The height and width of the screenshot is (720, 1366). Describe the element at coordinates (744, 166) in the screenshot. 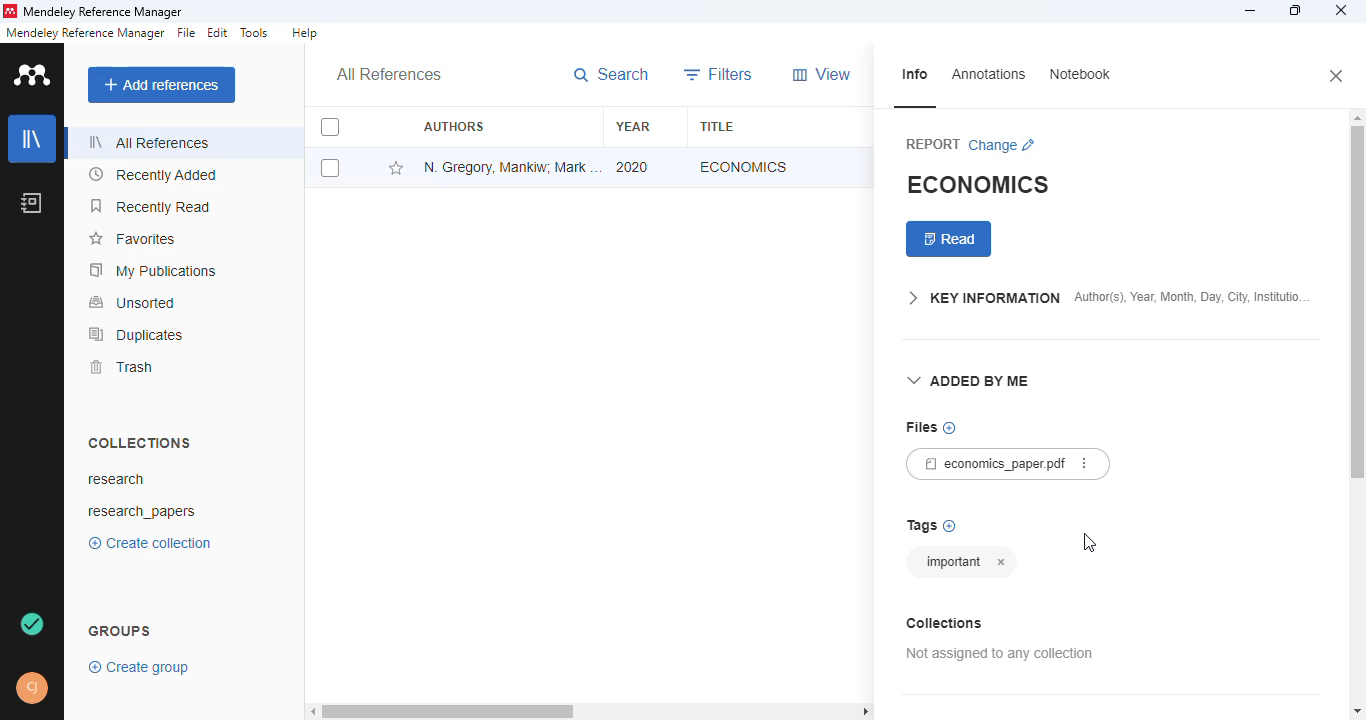

I see `economics` at that location.